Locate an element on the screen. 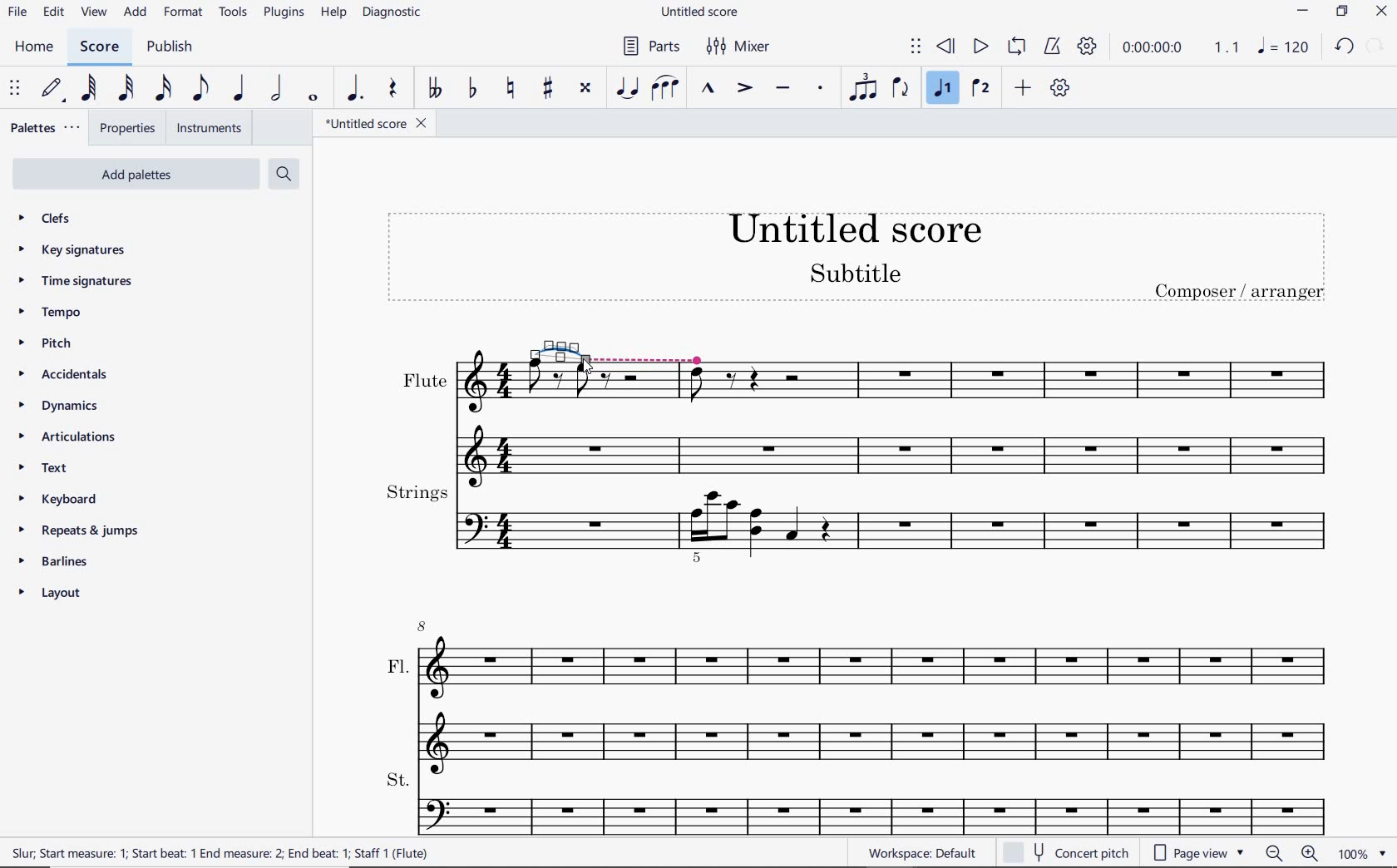 This screenshot has height=868, width=1397. NOTE is located at coordinates (1286, 48).